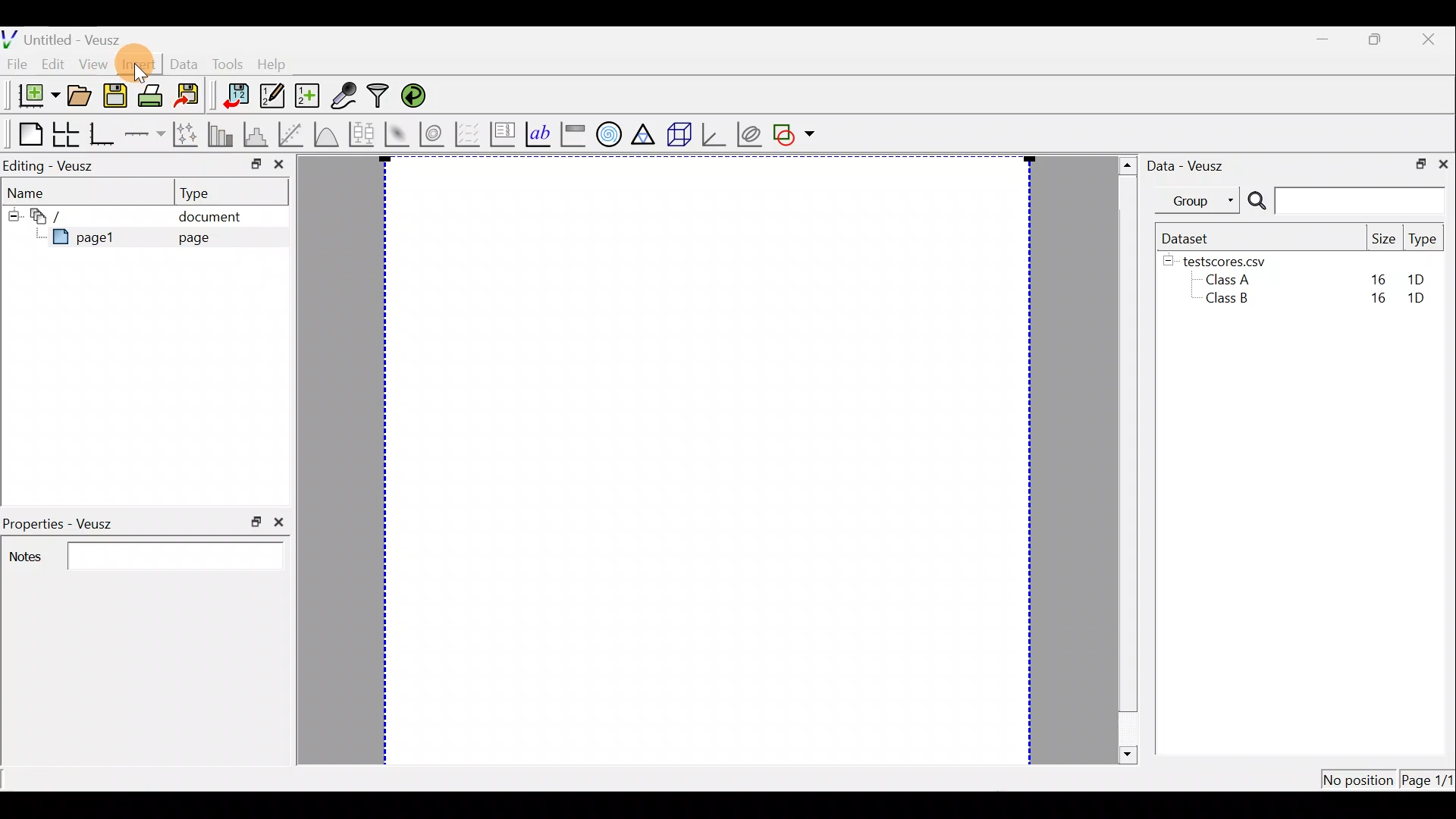 Image resolution: width=1456 pixels, height=819 pixels. I want to click on File, so click(19, 64).